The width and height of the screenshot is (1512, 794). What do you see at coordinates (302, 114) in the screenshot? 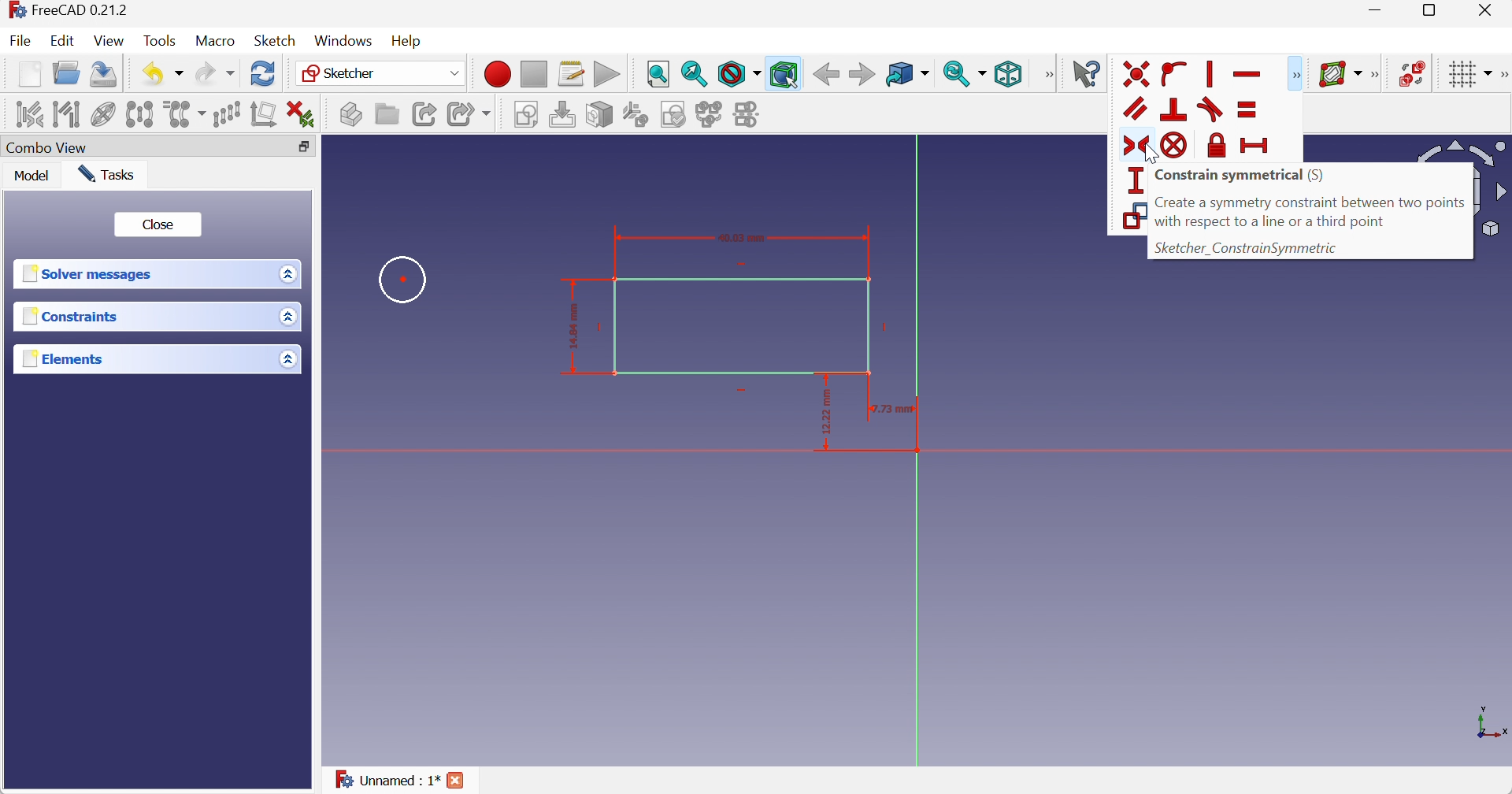
I see `Delete all constraints` at bounding box center [302, 114].